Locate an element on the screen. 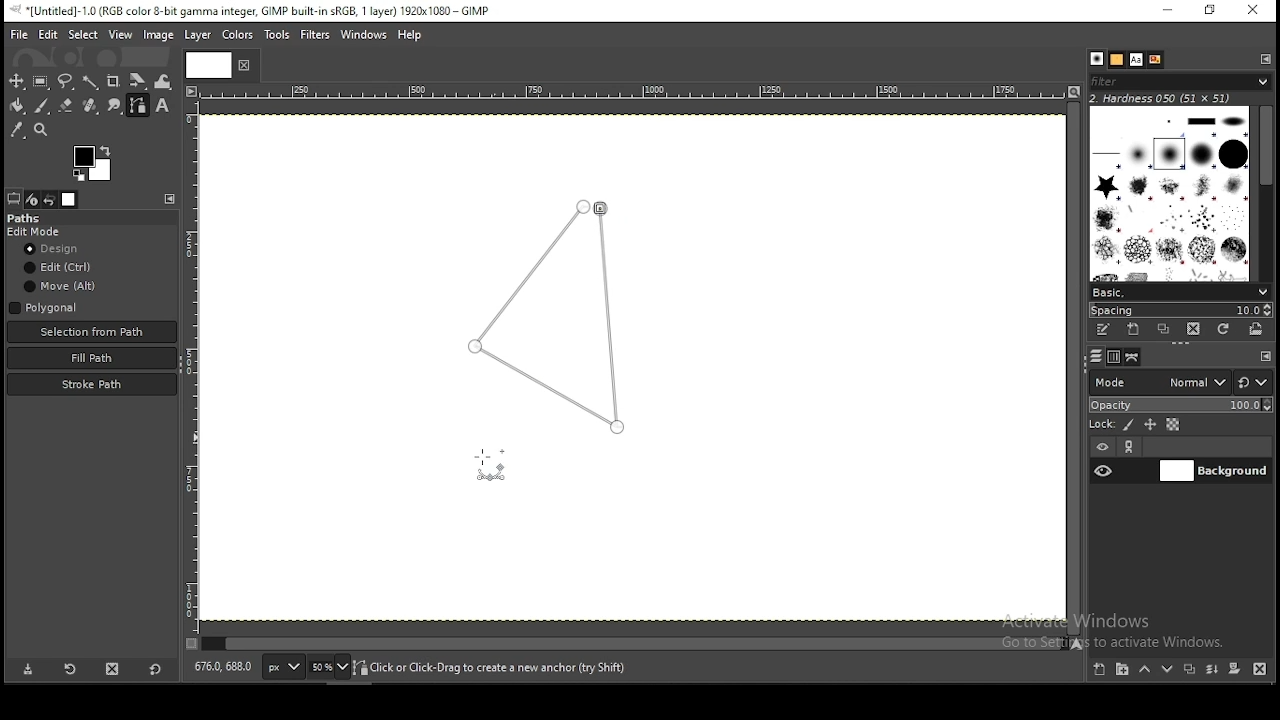  close window is located at coordinates (1254, 11).